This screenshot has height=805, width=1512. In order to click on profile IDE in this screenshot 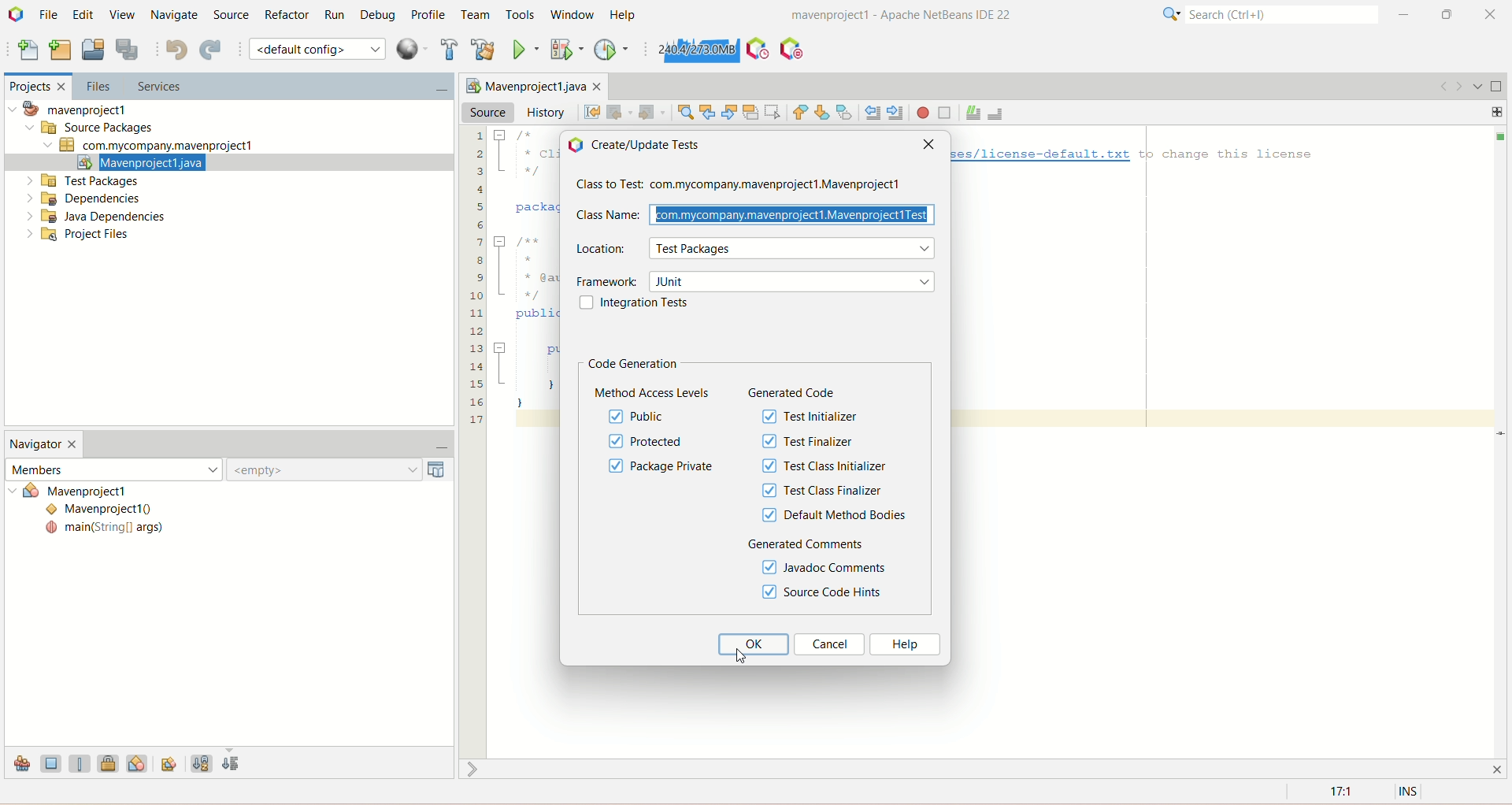, I will do `click(758, 49)`.